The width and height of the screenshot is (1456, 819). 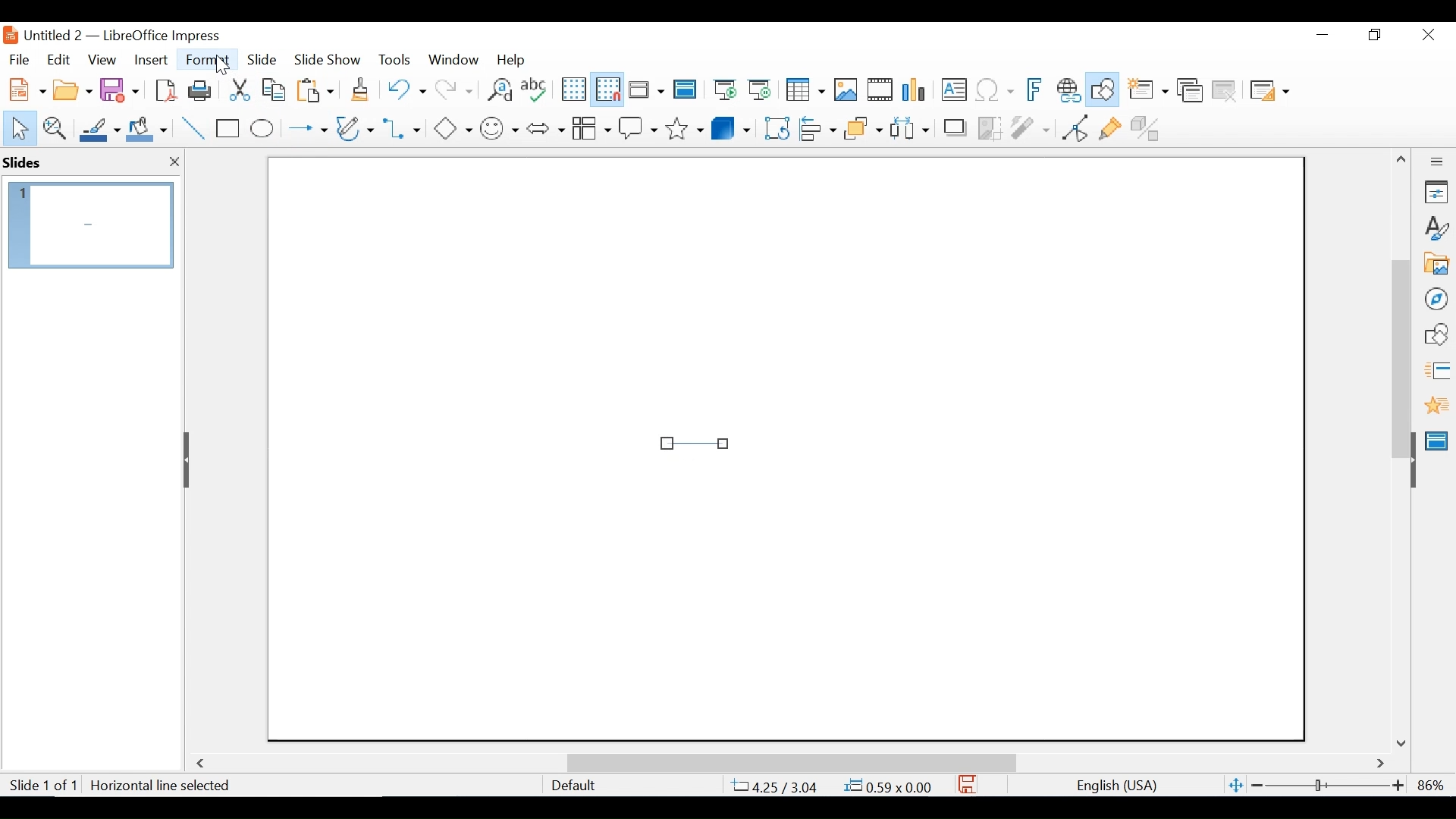 I want to click on Slide Transition, so click(x=1436, y=372).